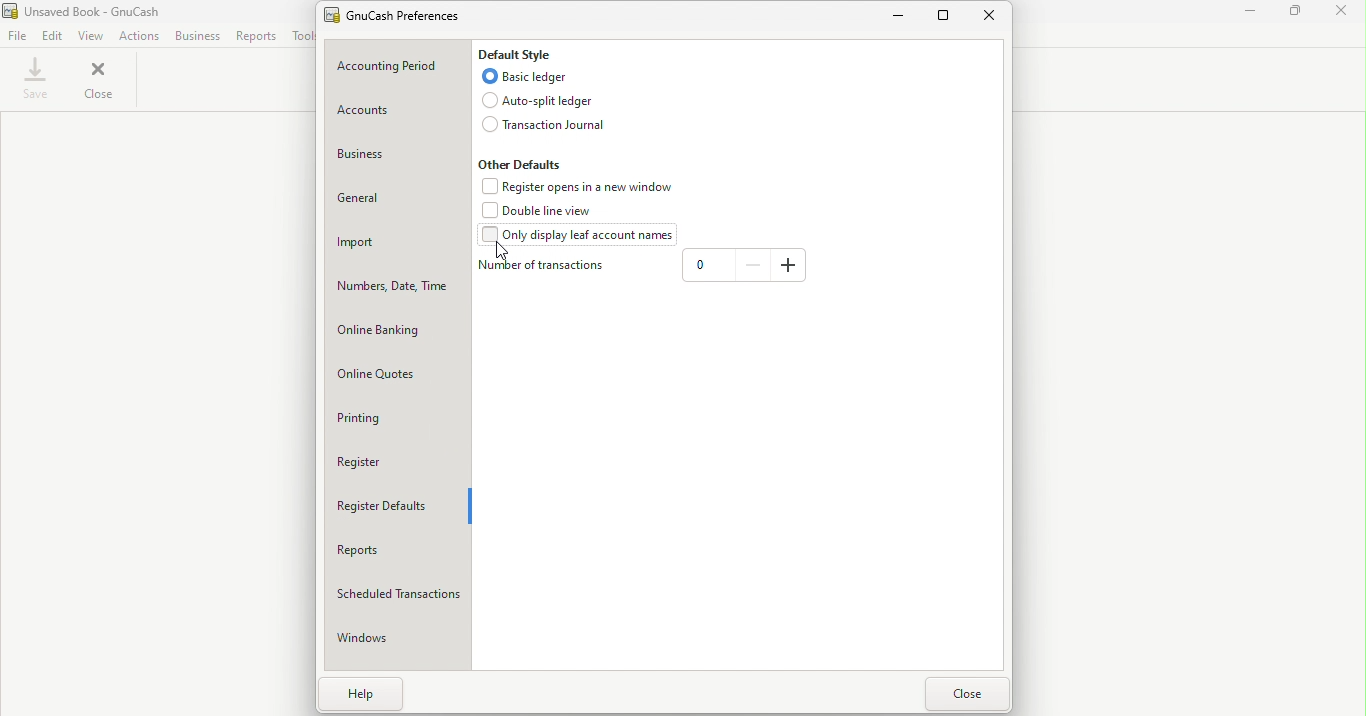 The image size is (1366, 716). I want to click on View, so click(93, 36).